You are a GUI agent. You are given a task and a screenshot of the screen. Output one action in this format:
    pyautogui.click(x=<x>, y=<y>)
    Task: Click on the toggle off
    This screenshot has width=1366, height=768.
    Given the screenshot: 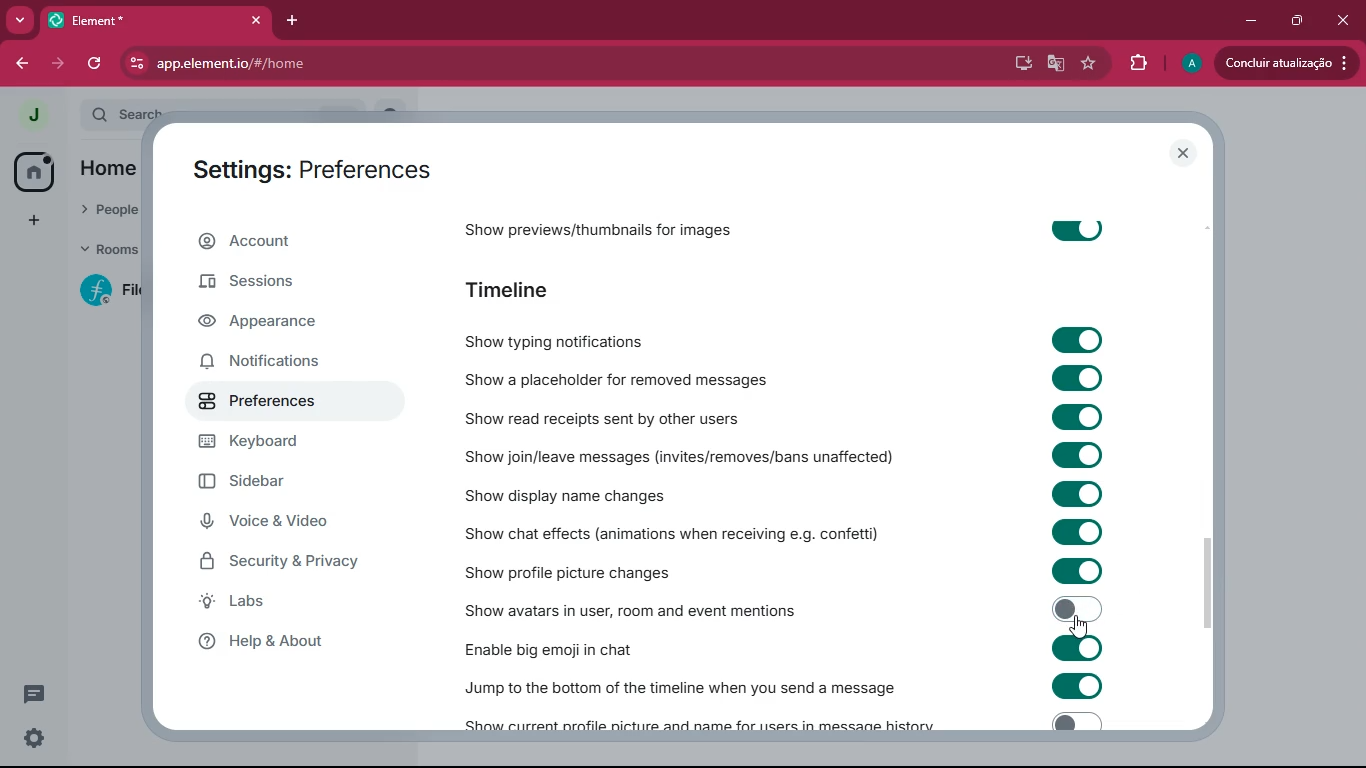 What is the action you would take?
    pyautogui.click(x=1072, y=722)
    